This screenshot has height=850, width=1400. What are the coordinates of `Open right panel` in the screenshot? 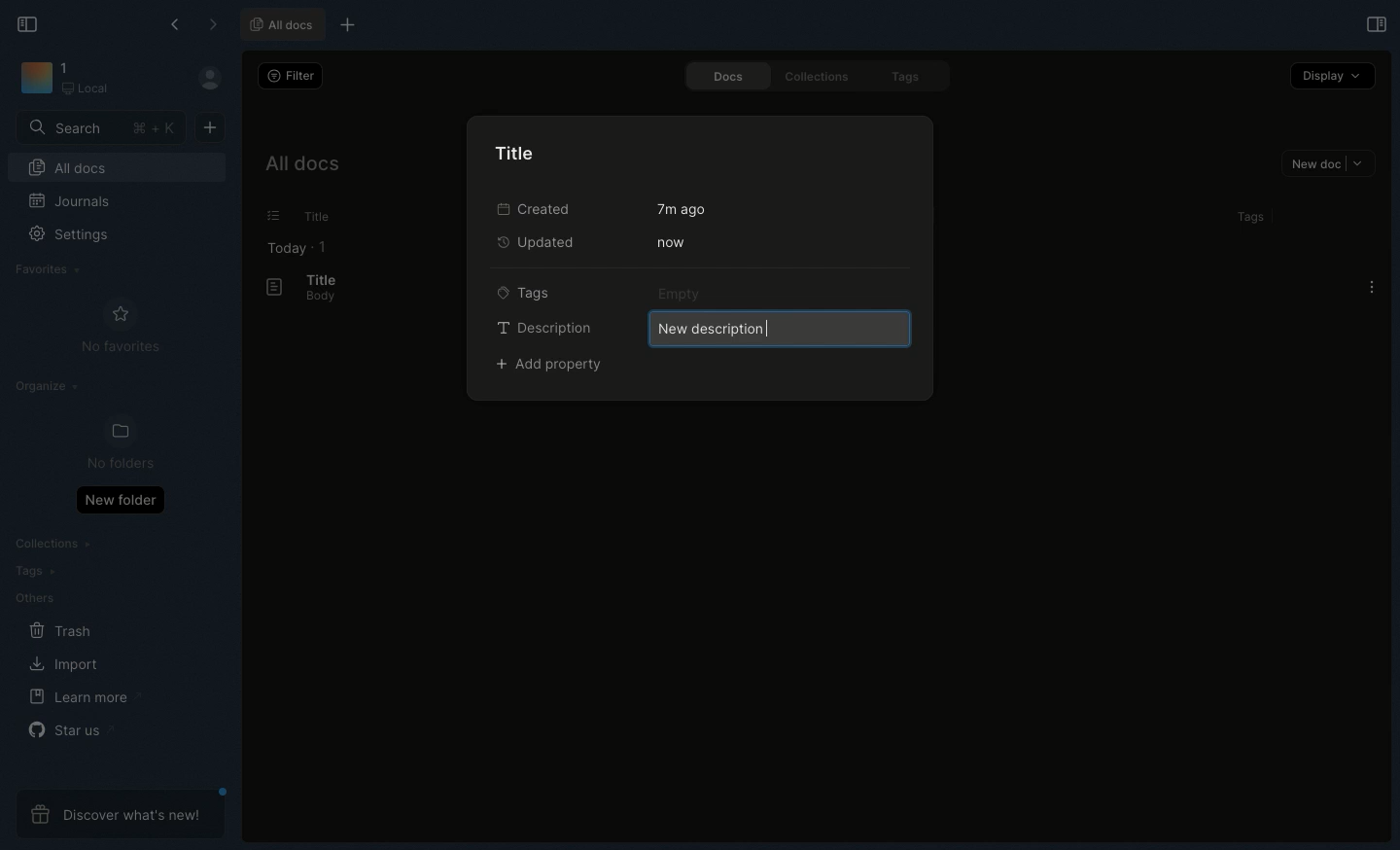 It's located at (1374, 23).